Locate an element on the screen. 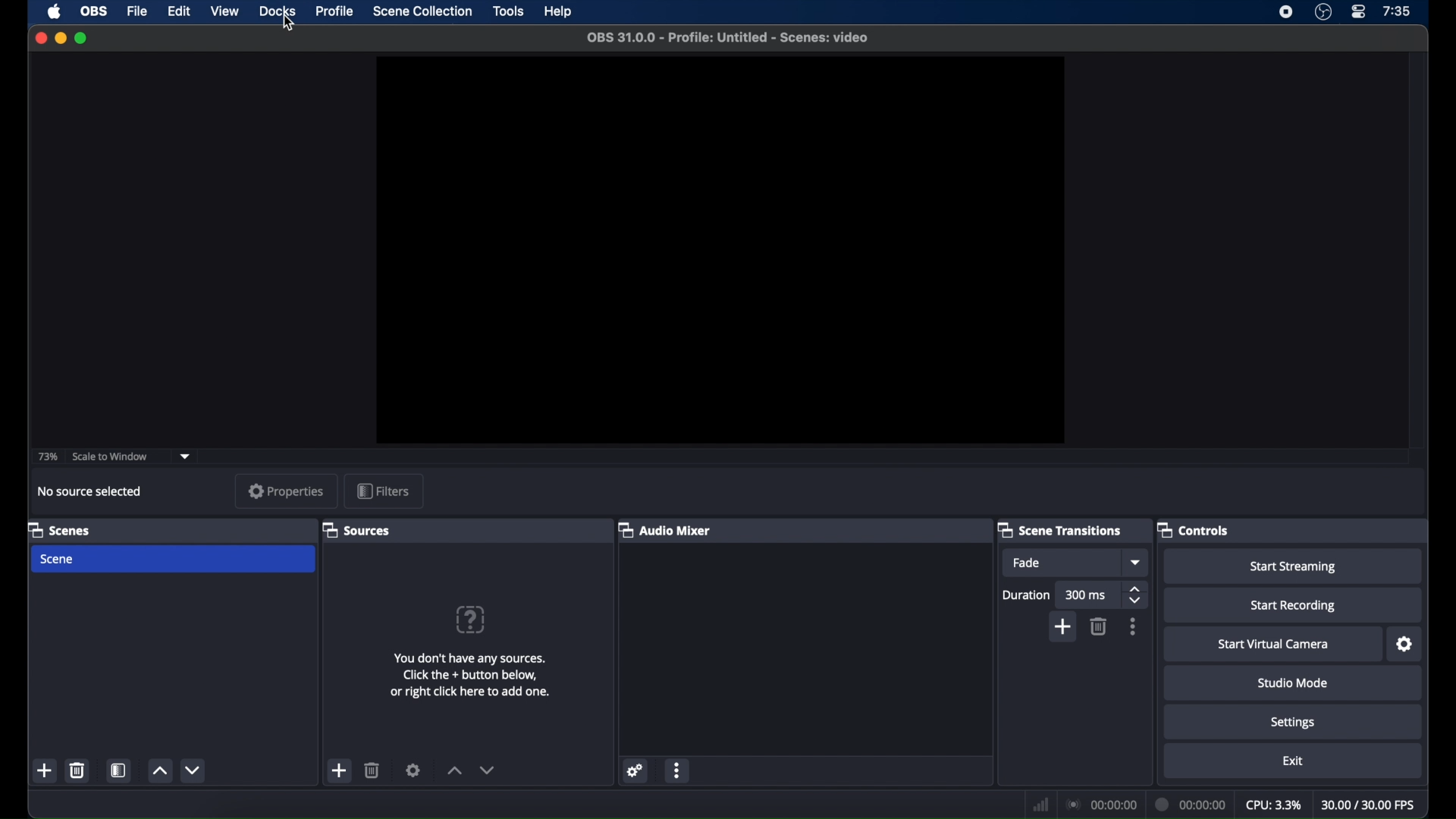 The width and height of the screenshot is (1456, 819). apple icon is located at coordinates (54, 11).